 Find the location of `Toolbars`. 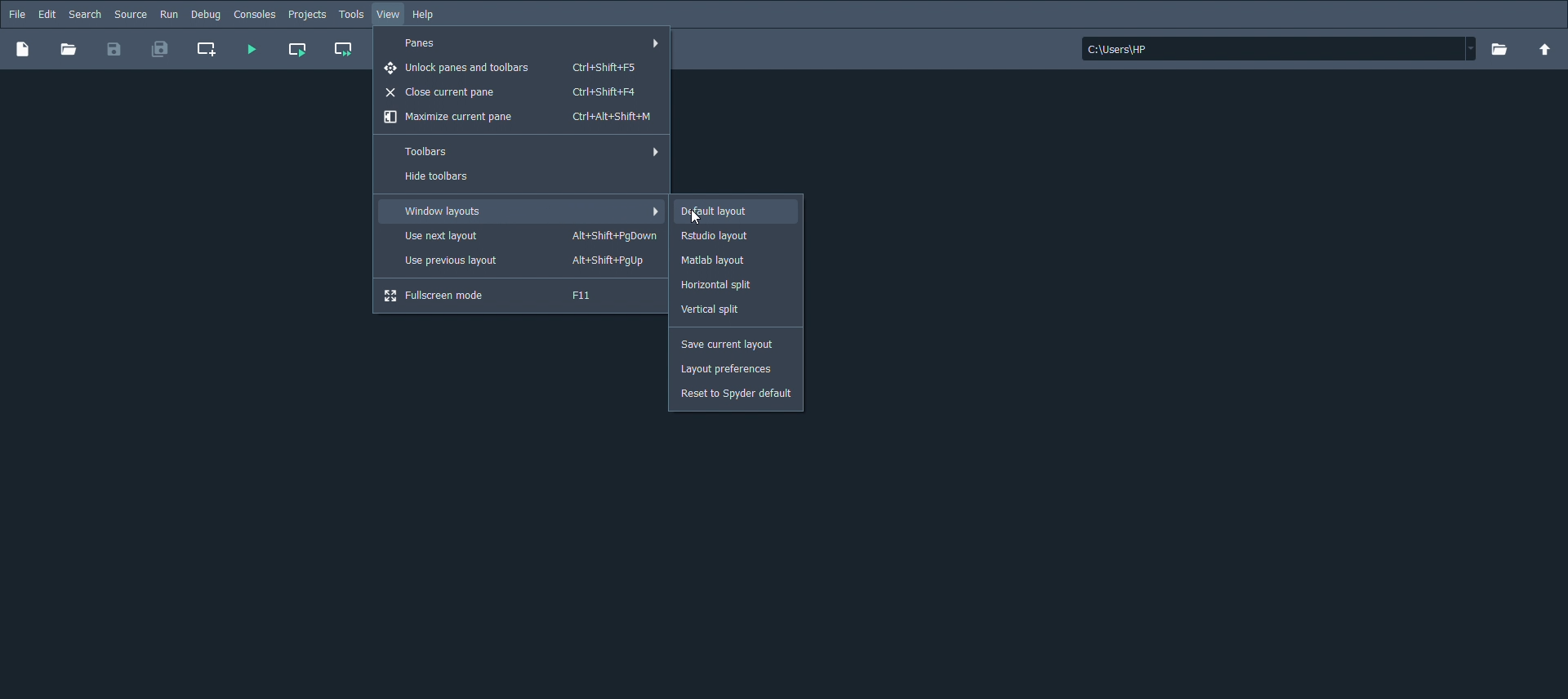

Toolbars is located at coordinates (528, 152).